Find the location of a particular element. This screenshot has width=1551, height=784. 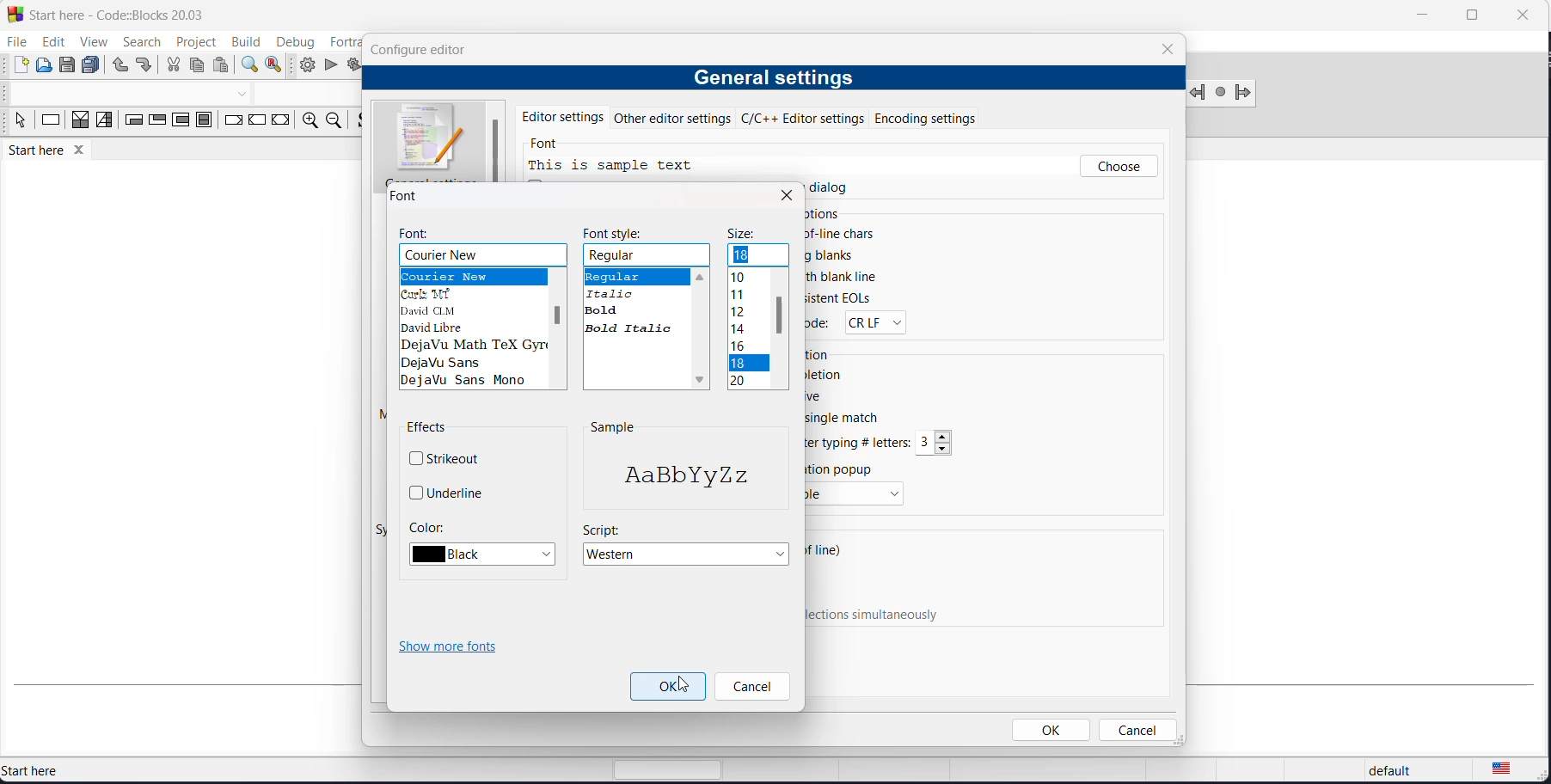

close is located at coordinates (786, 195).